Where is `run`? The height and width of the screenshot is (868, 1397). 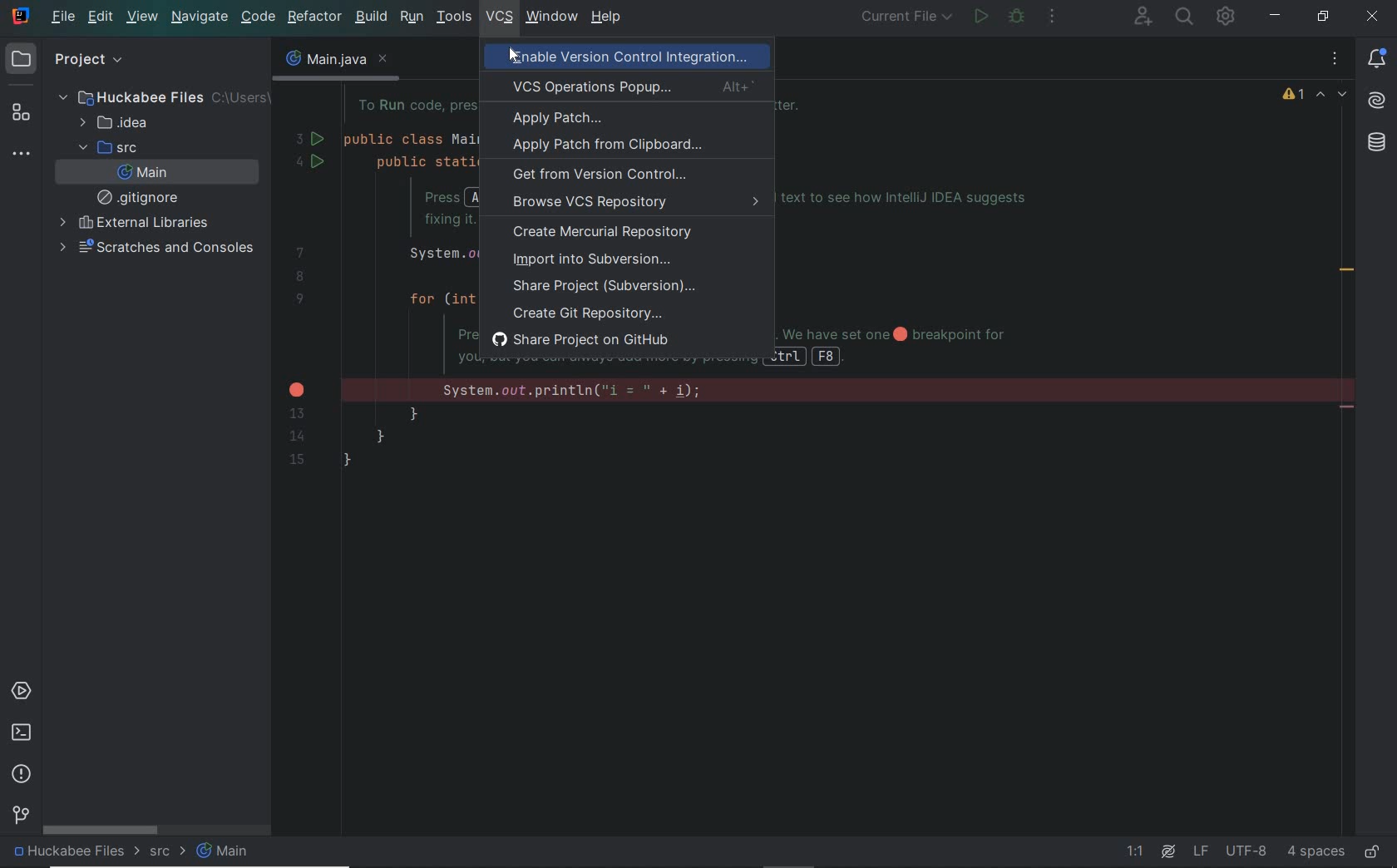
run is located at coordinates (981, 17).